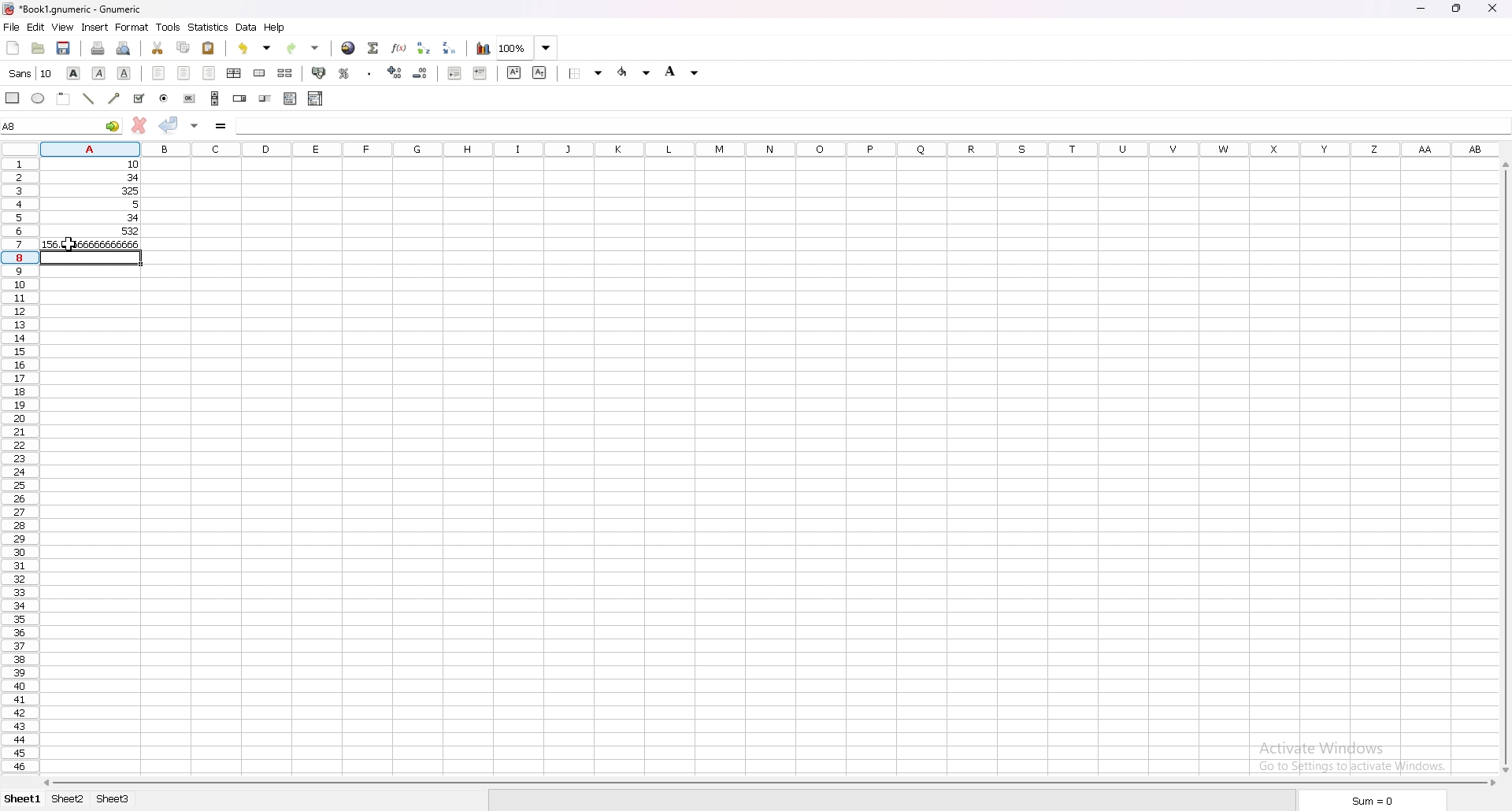 The width and height of the screenshot is (1512, 811). What do you see at coordinates (1373, 801) in the screenshot?
I see `sum` at bounding box center [1373, 801].